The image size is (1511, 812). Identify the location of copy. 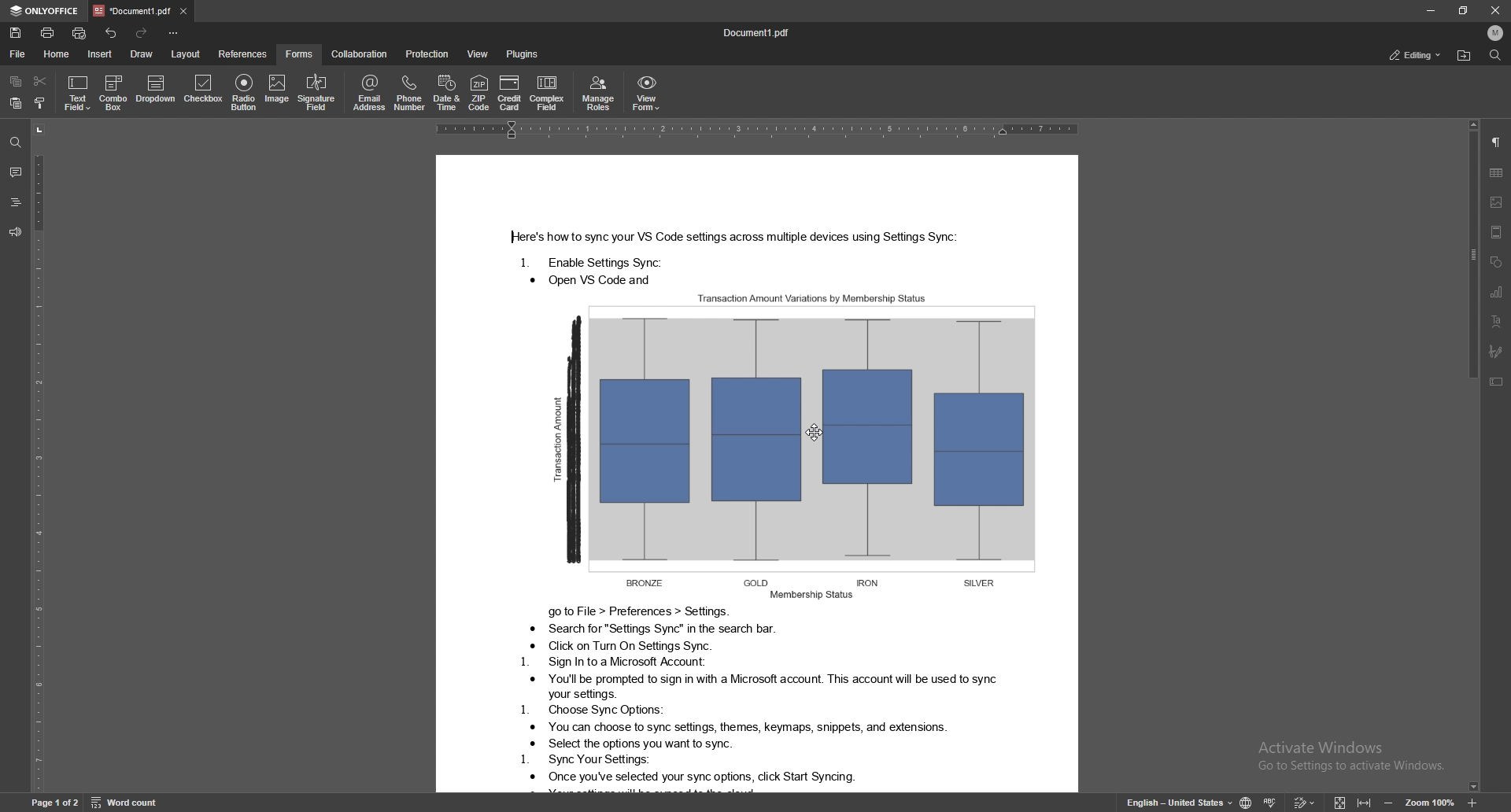
(17, 81).